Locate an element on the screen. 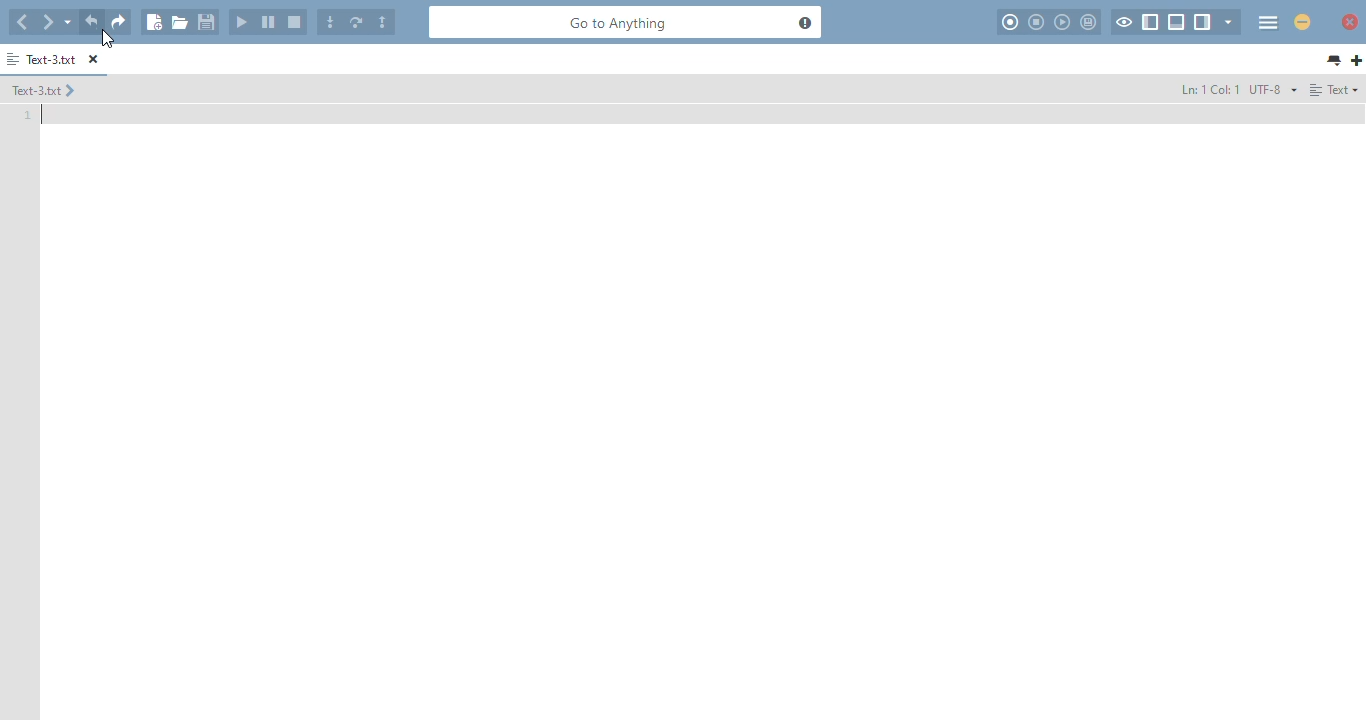 The height and width of the screenshot is (720, 1366). list all tabs is located at coordinates (1334, 61).